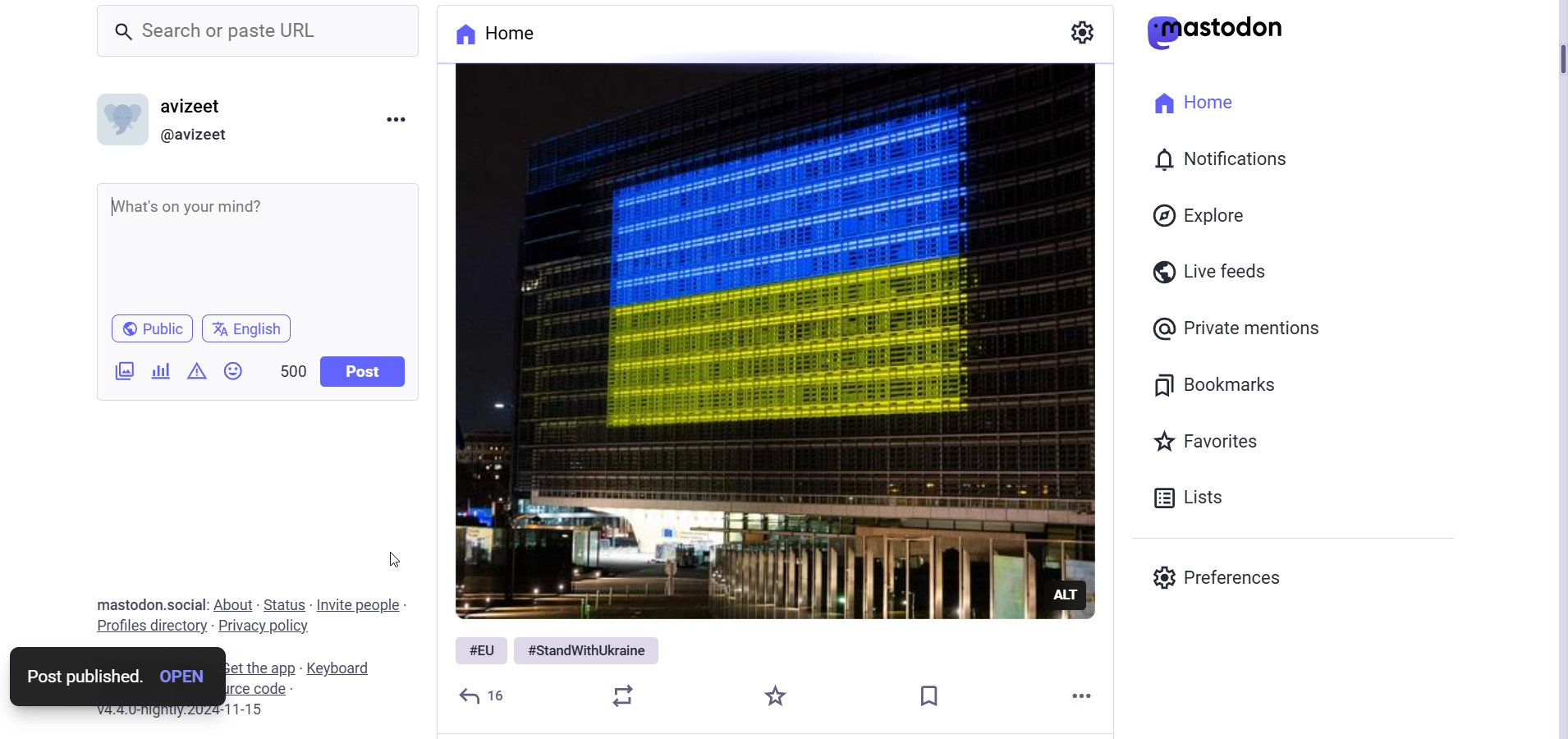 This screenshot has width=1568, height=739. Describe the element at coordinates (116, 678) in the screenshot. I see `Post Published` at that location.